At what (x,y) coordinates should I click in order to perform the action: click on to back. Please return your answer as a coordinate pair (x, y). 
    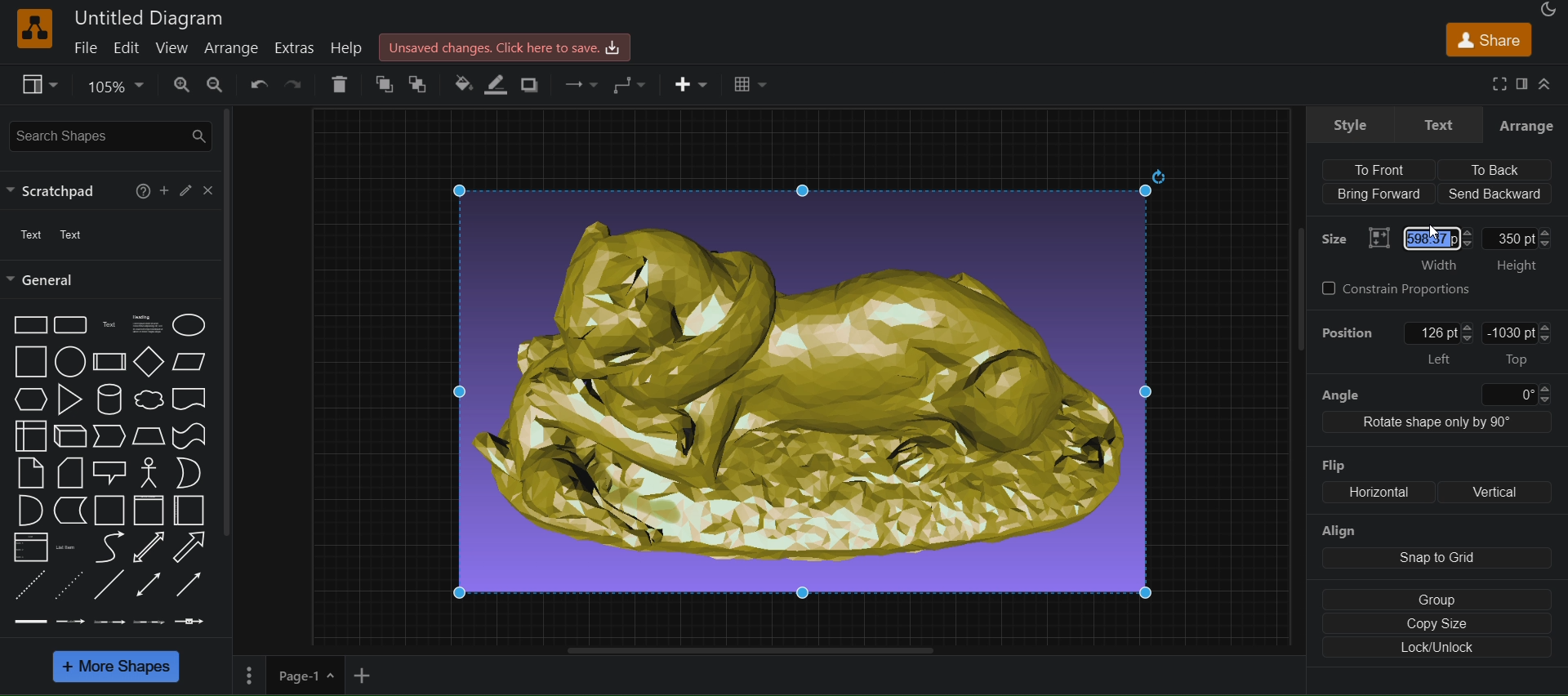
    Looking at the image, I should click on (417, 86).